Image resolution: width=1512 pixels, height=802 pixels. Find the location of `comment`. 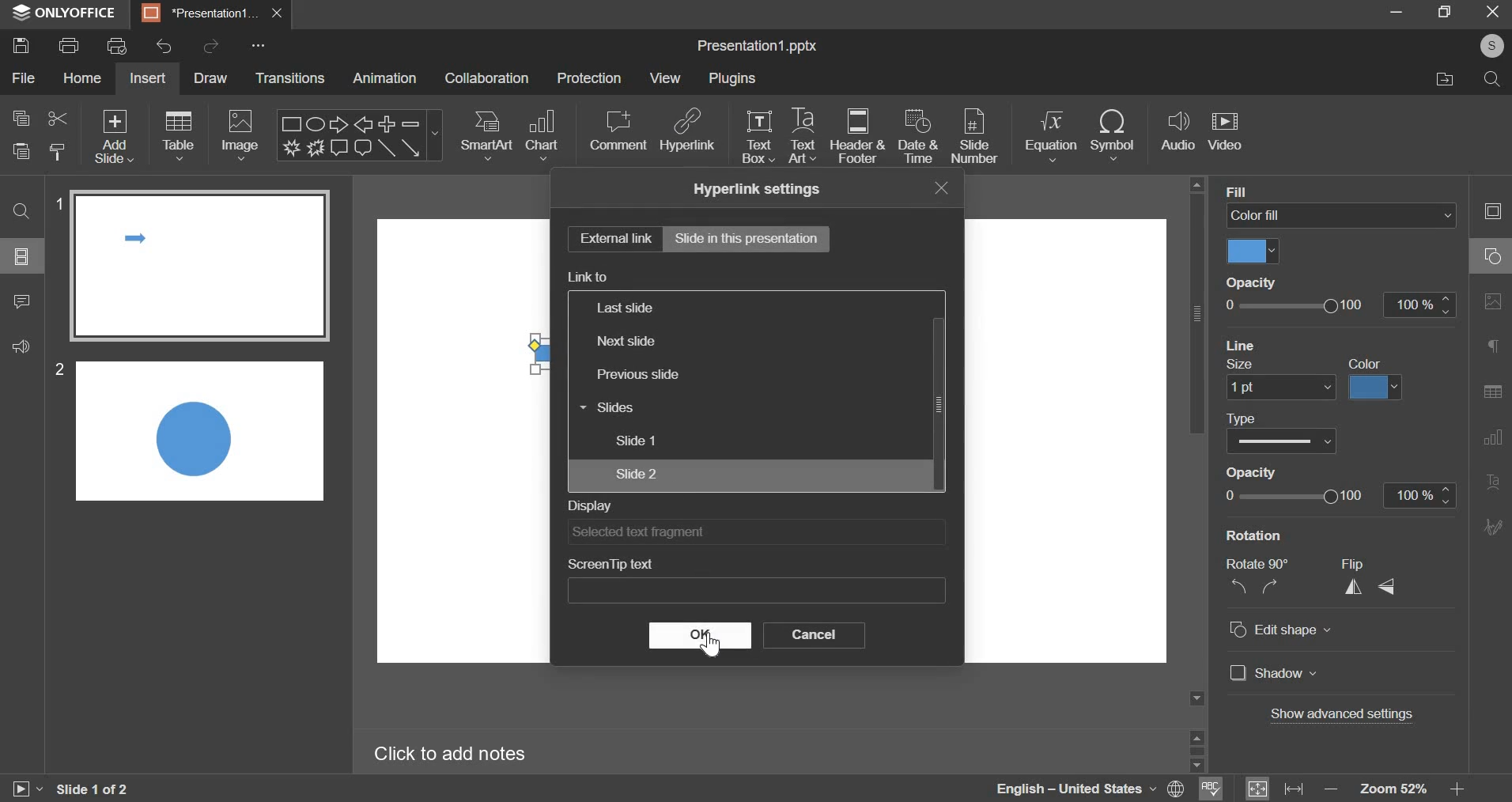

comment is located at coordinates (22, 301).